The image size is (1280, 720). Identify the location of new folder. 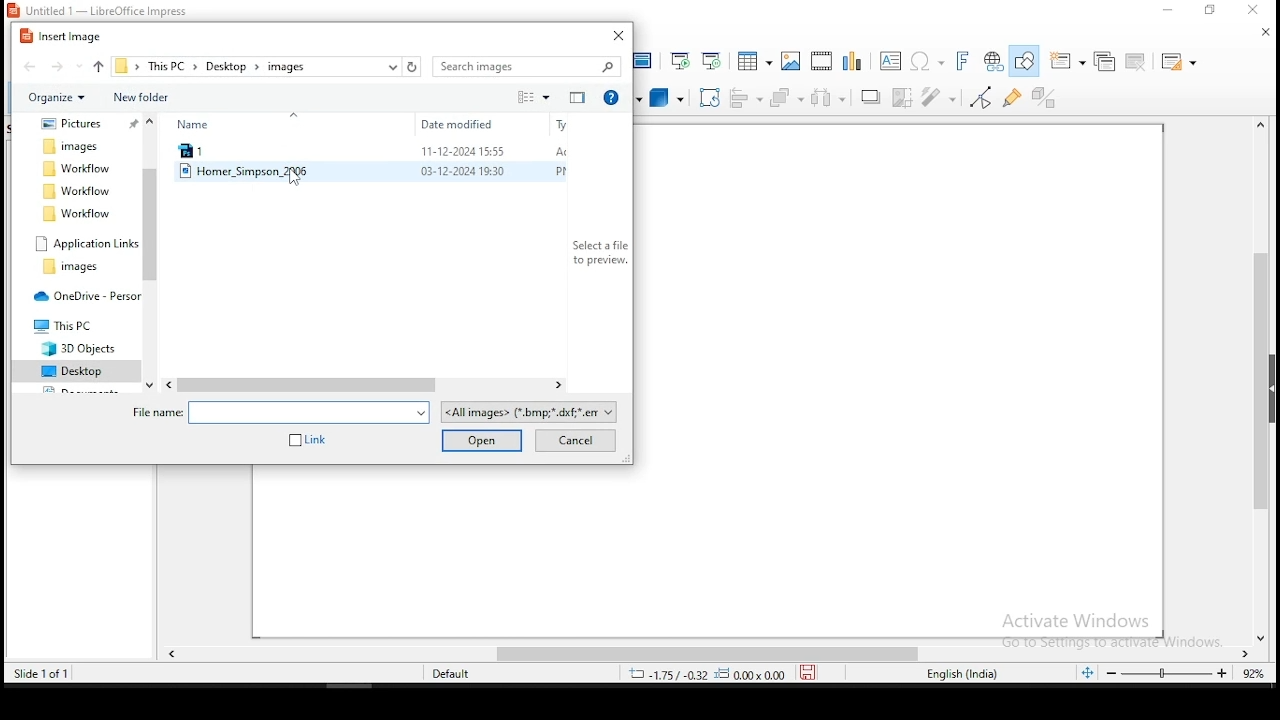
(144, 97).